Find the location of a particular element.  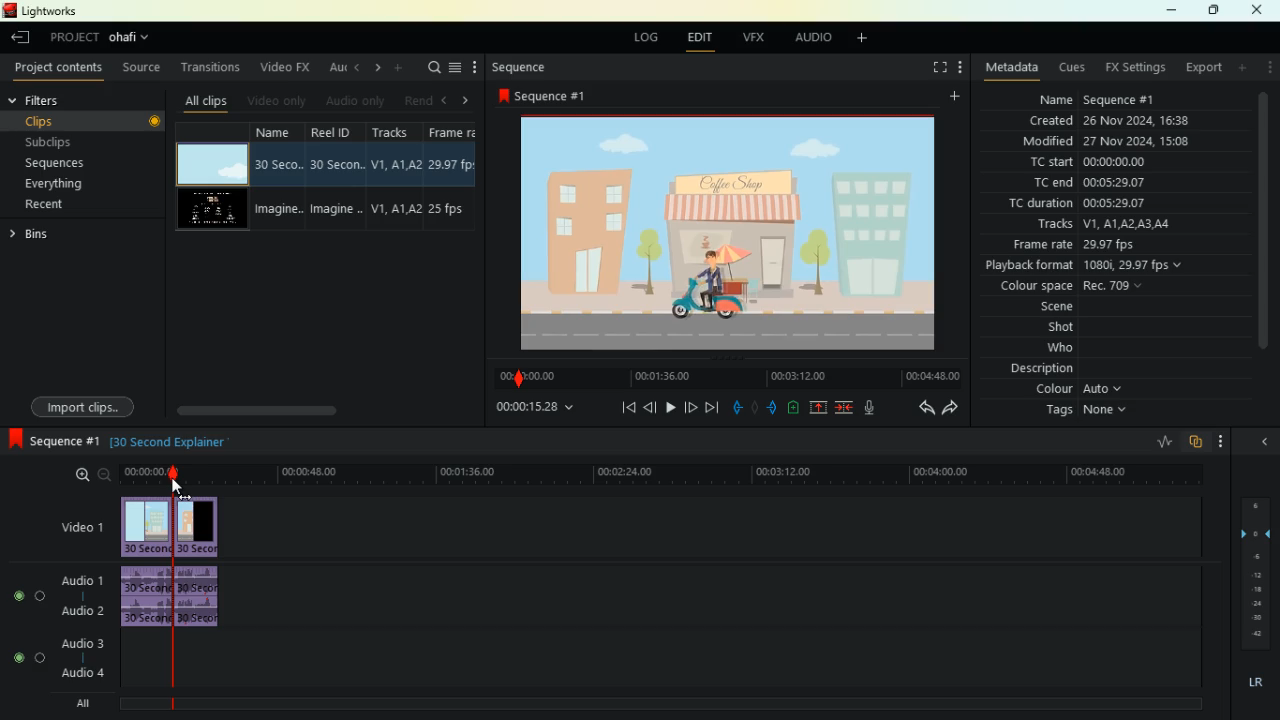

V1,A1, A2 is located at coordinates (395, 209).